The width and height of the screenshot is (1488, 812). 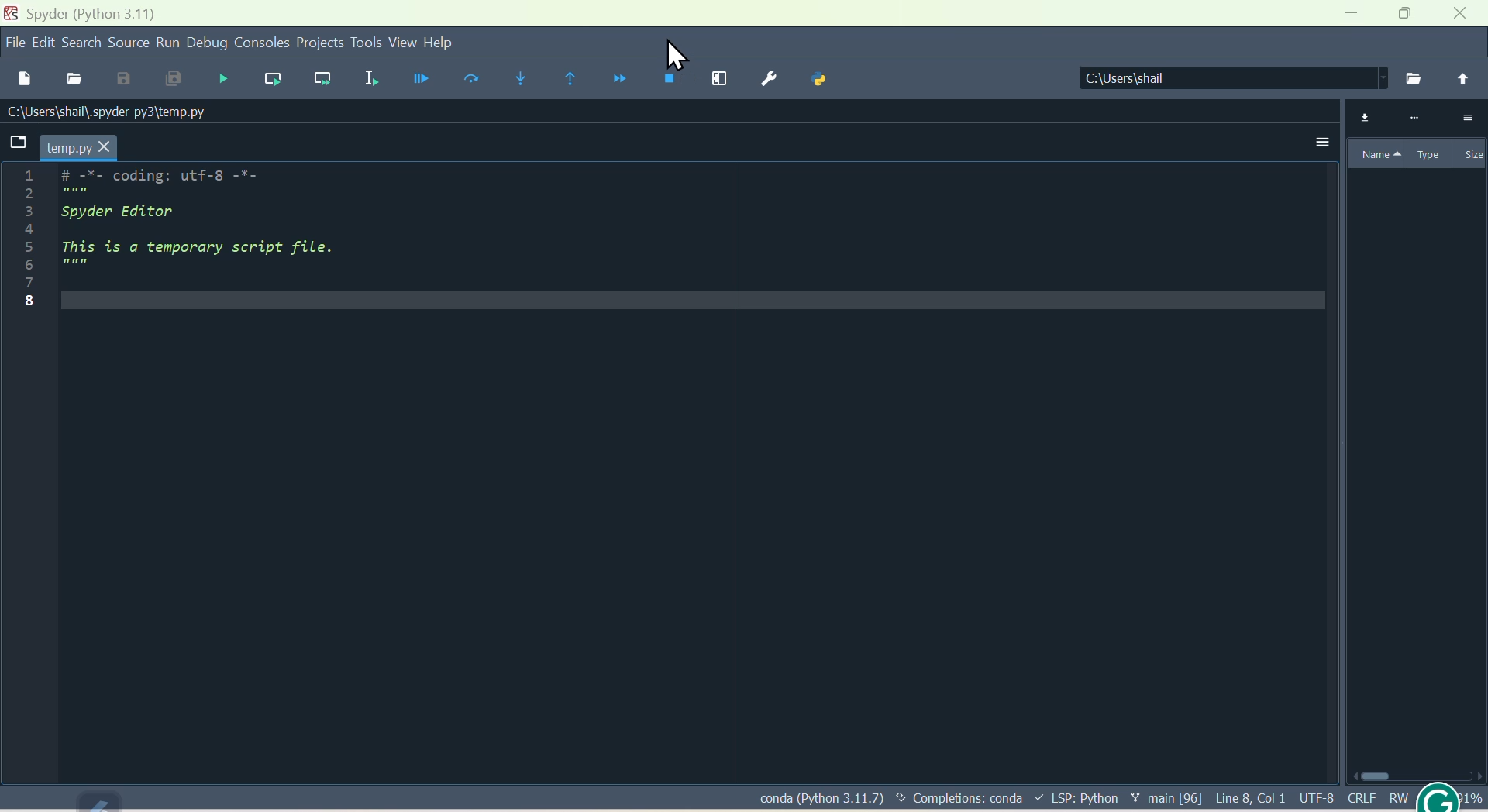 I want to click on help, so click(x=447, y=46).